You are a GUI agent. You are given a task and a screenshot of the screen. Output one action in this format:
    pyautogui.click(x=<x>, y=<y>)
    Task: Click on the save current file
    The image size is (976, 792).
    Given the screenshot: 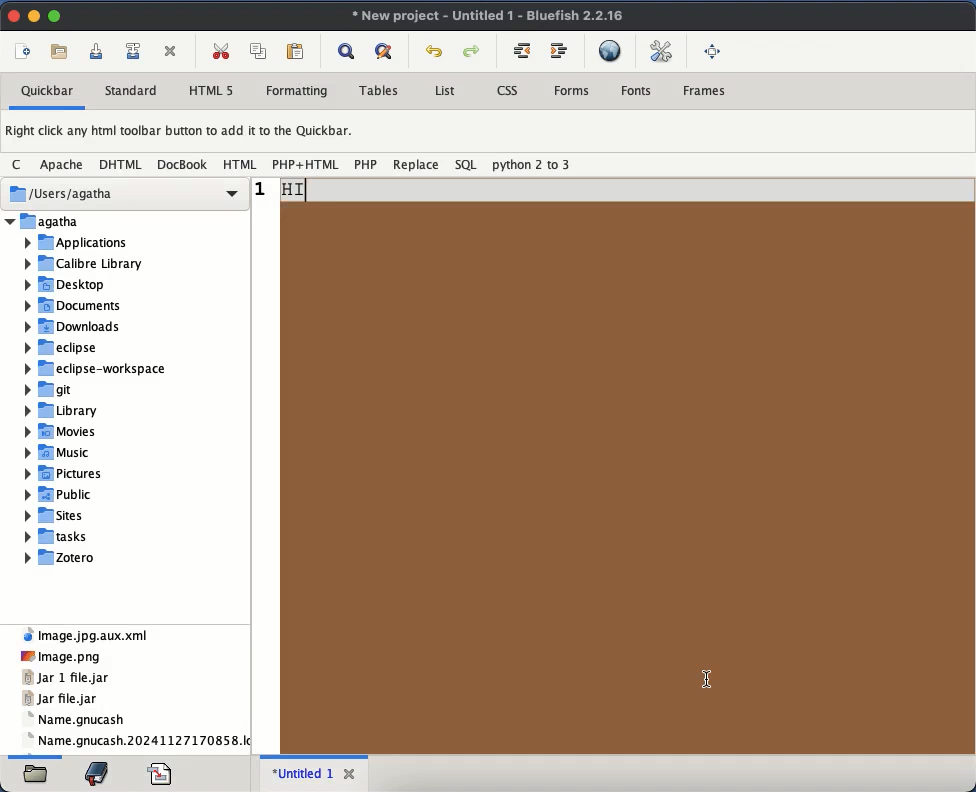 What is the action you would take?
    pyautogui.click(x=98, y=51)
    